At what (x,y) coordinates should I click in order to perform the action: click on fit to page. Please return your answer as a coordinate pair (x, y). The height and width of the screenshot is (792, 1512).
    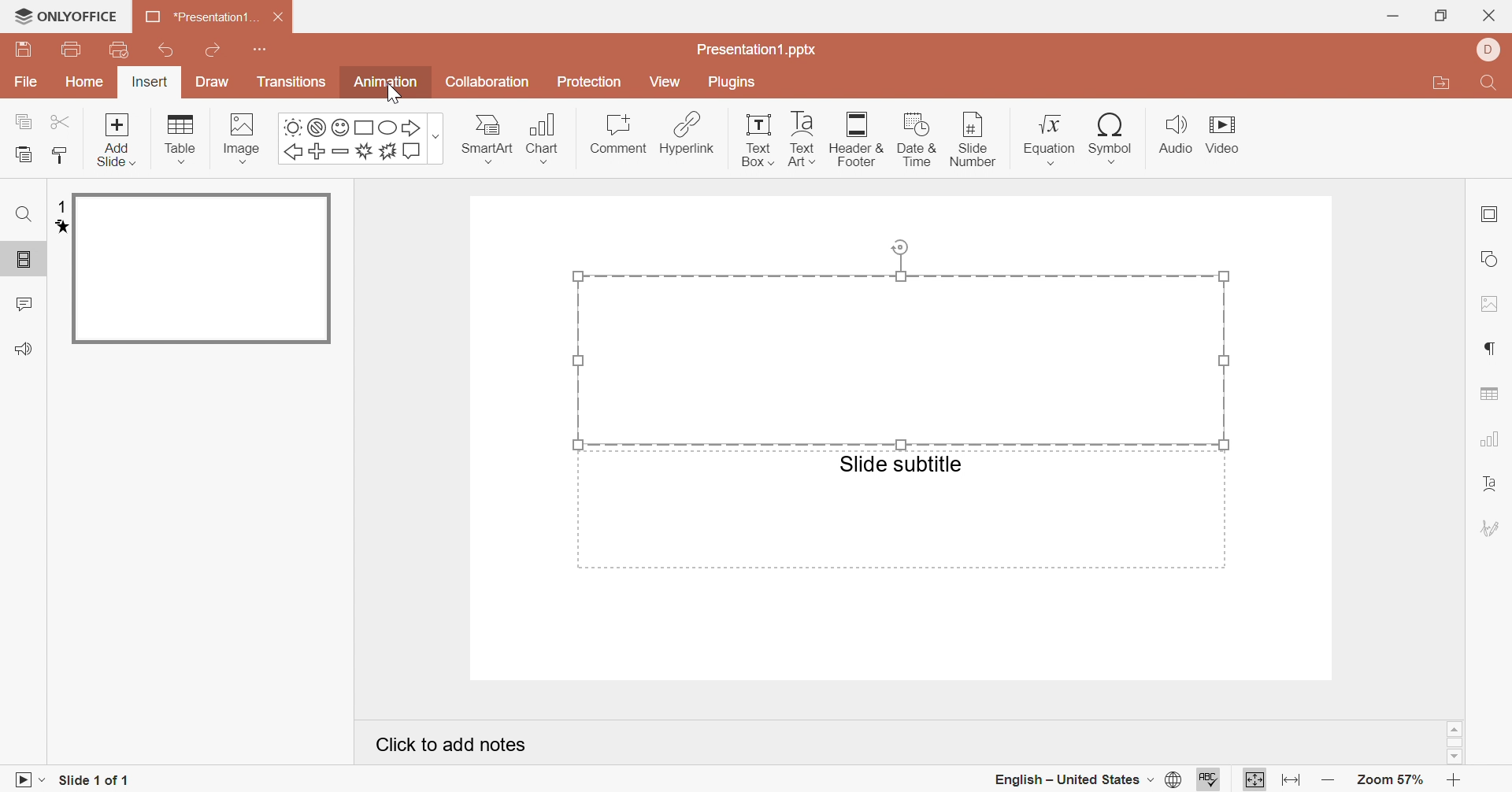
    Looking at the image, I should click on (1255, 782).